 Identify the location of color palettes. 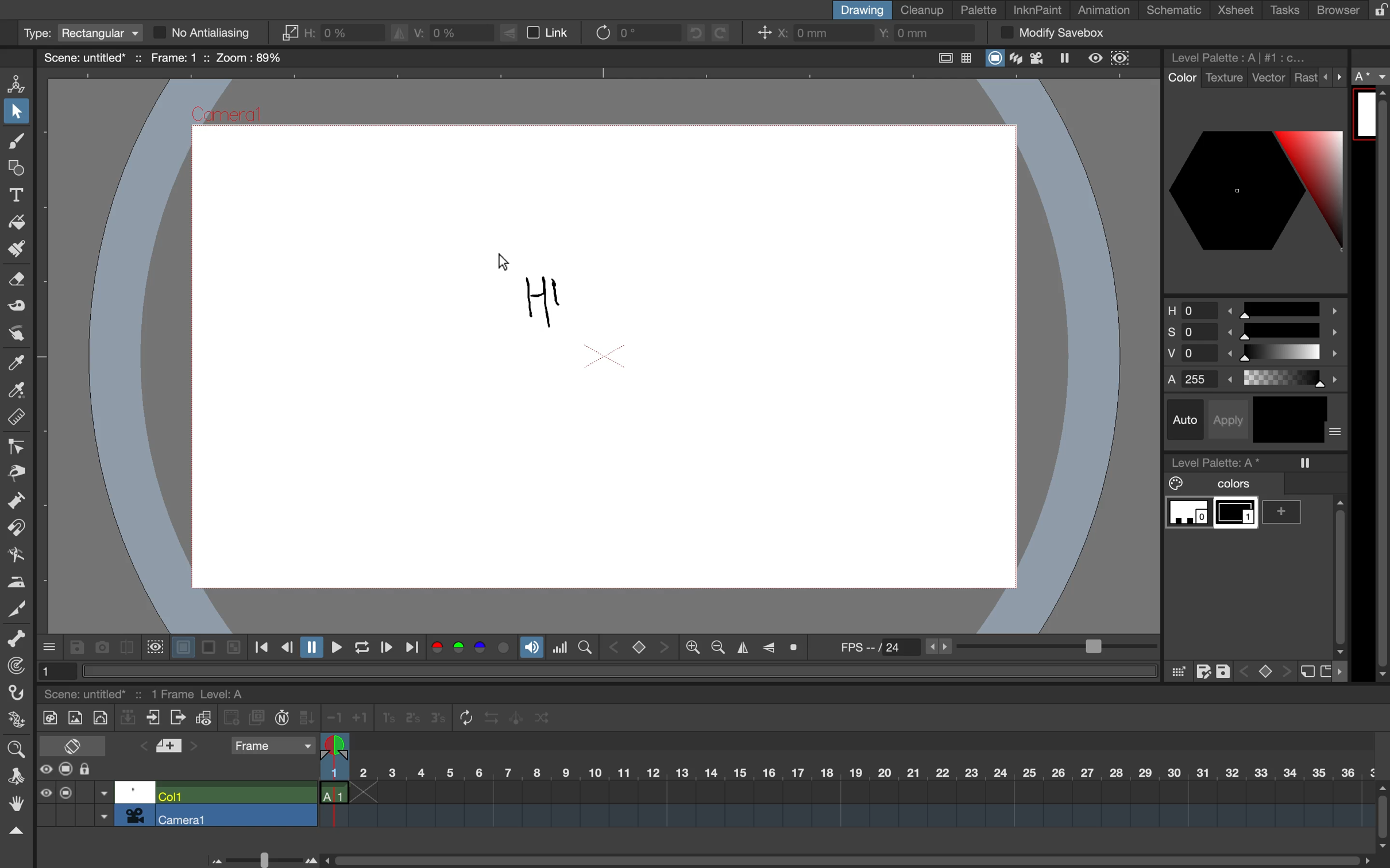
(1255, 189).